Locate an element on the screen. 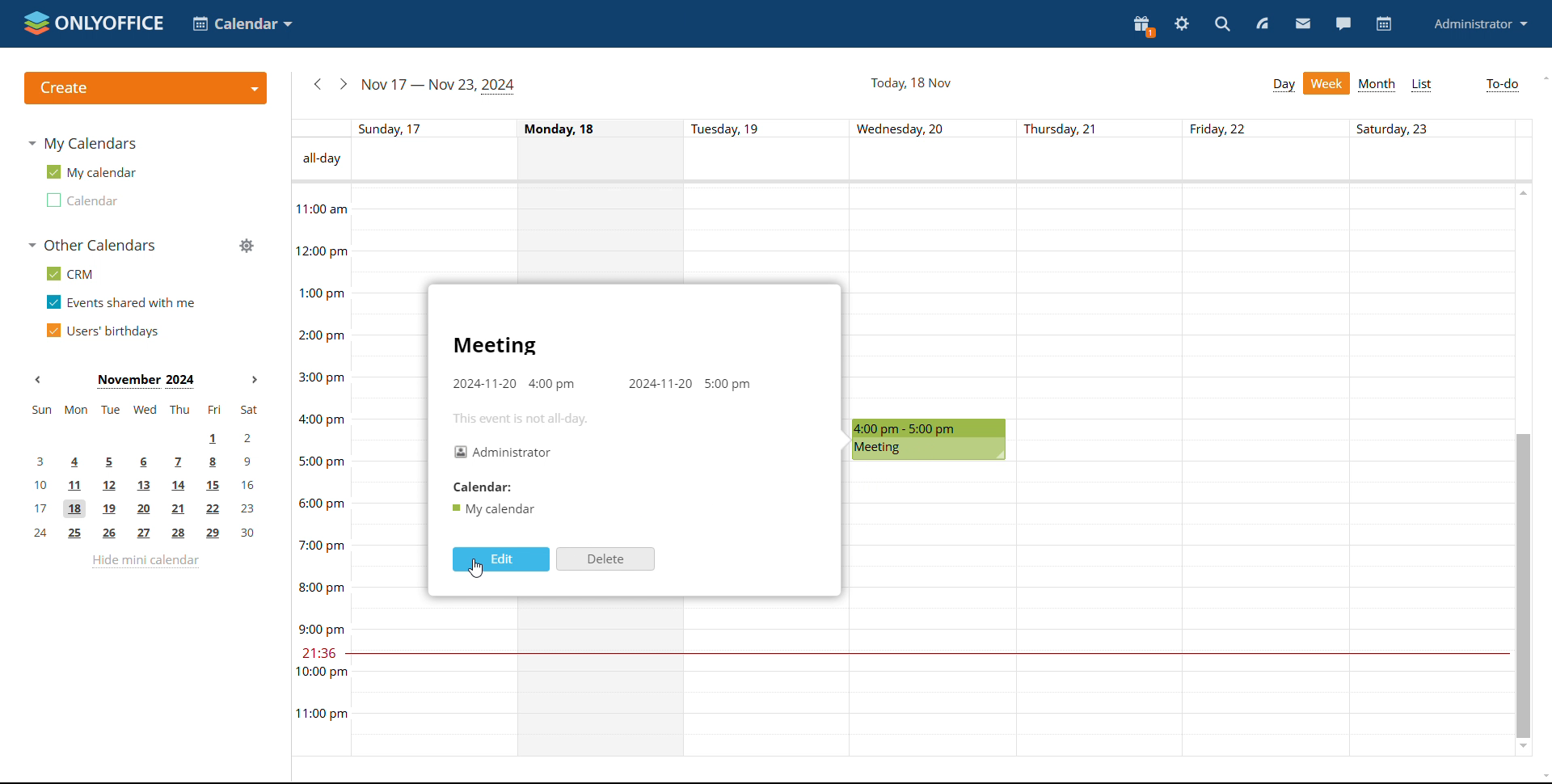 Image resolution: width=1552 pixels, height=784 pixels. all-day is located at coordinates (319, 159).